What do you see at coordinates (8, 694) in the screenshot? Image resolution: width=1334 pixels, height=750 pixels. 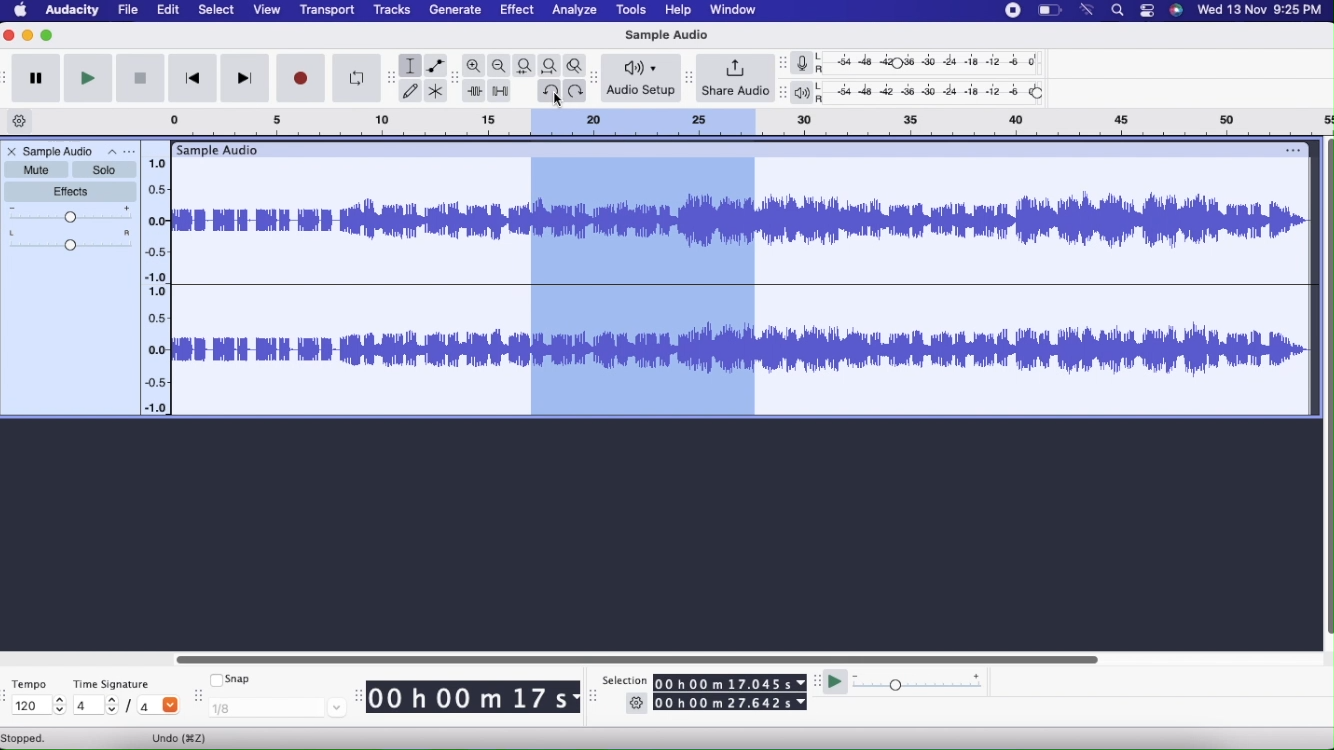 I see `move toolbar` at bounding box center [8, 694].